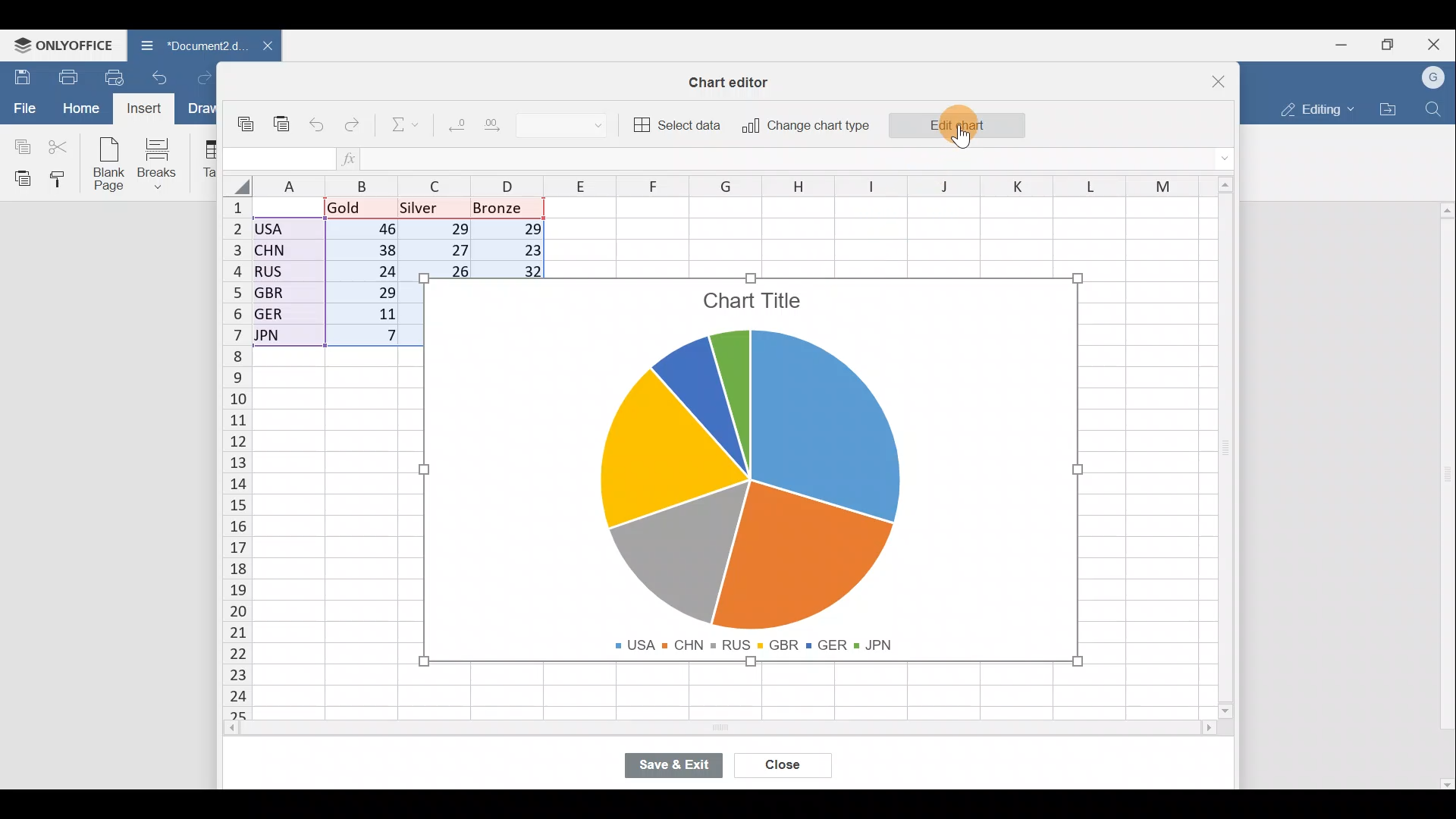  I want to click on Blank page, so click(105, 162).